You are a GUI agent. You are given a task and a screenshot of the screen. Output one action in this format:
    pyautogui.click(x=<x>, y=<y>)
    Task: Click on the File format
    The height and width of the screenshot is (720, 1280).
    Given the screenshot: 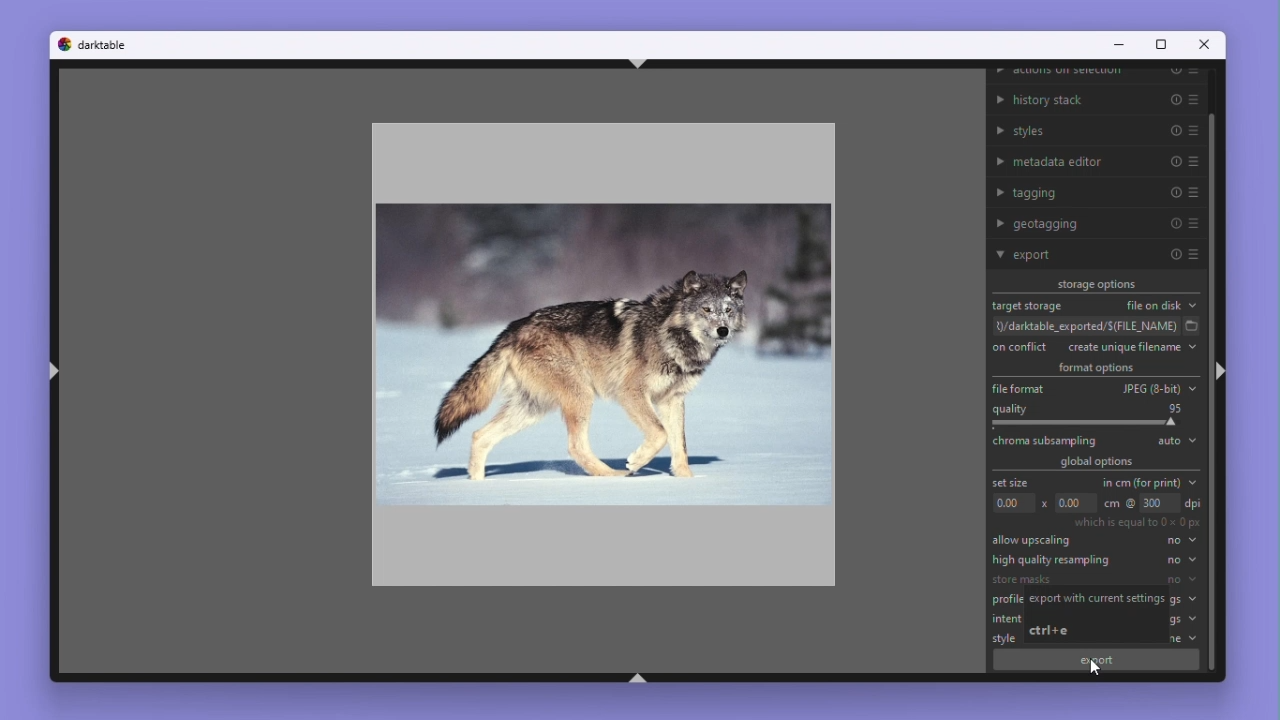 What is the action you would take?
    pyautogui.click(x=1017, y=390)
    